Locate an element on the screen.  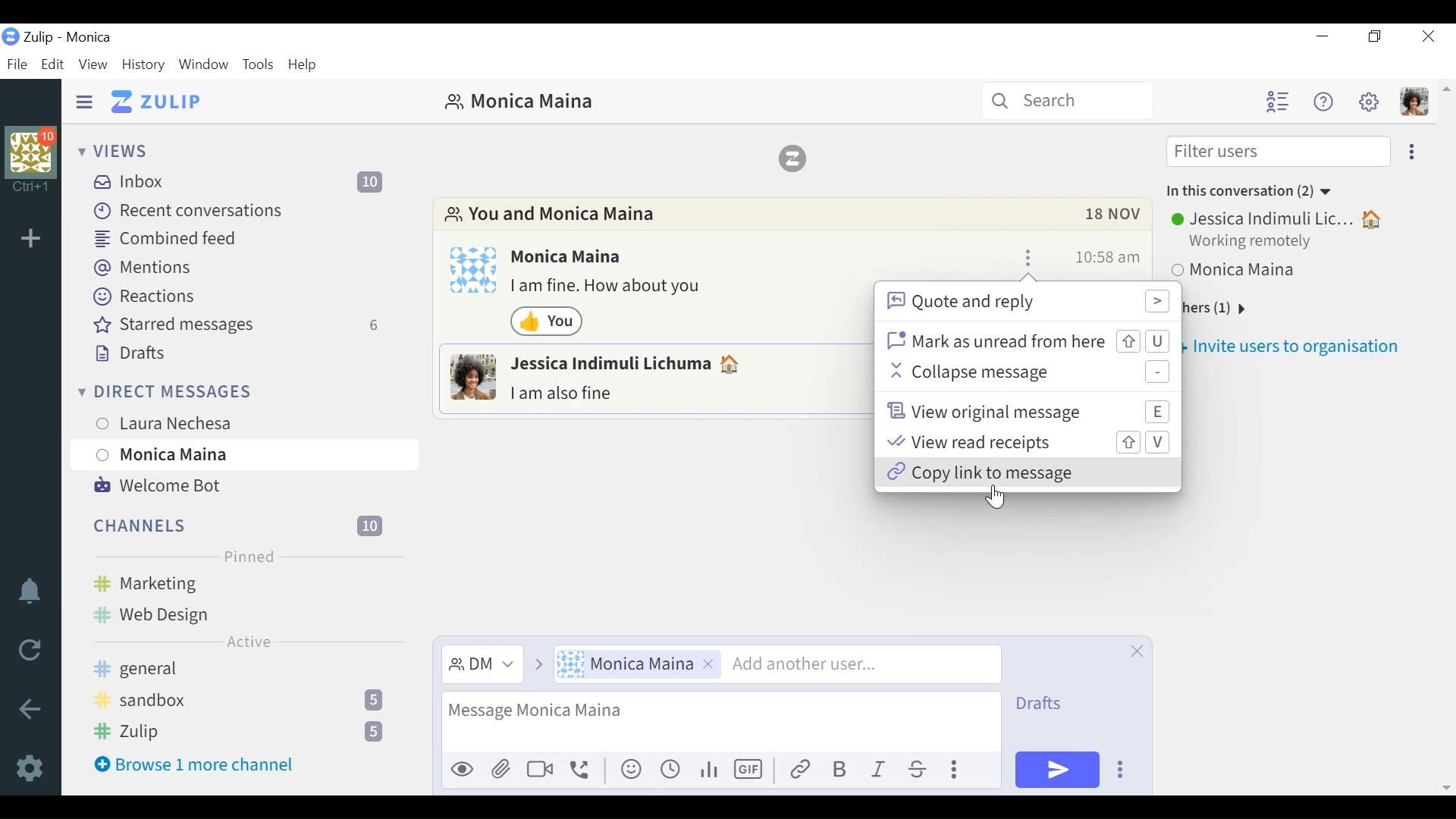
Settings is located at coordinates (31, 767).